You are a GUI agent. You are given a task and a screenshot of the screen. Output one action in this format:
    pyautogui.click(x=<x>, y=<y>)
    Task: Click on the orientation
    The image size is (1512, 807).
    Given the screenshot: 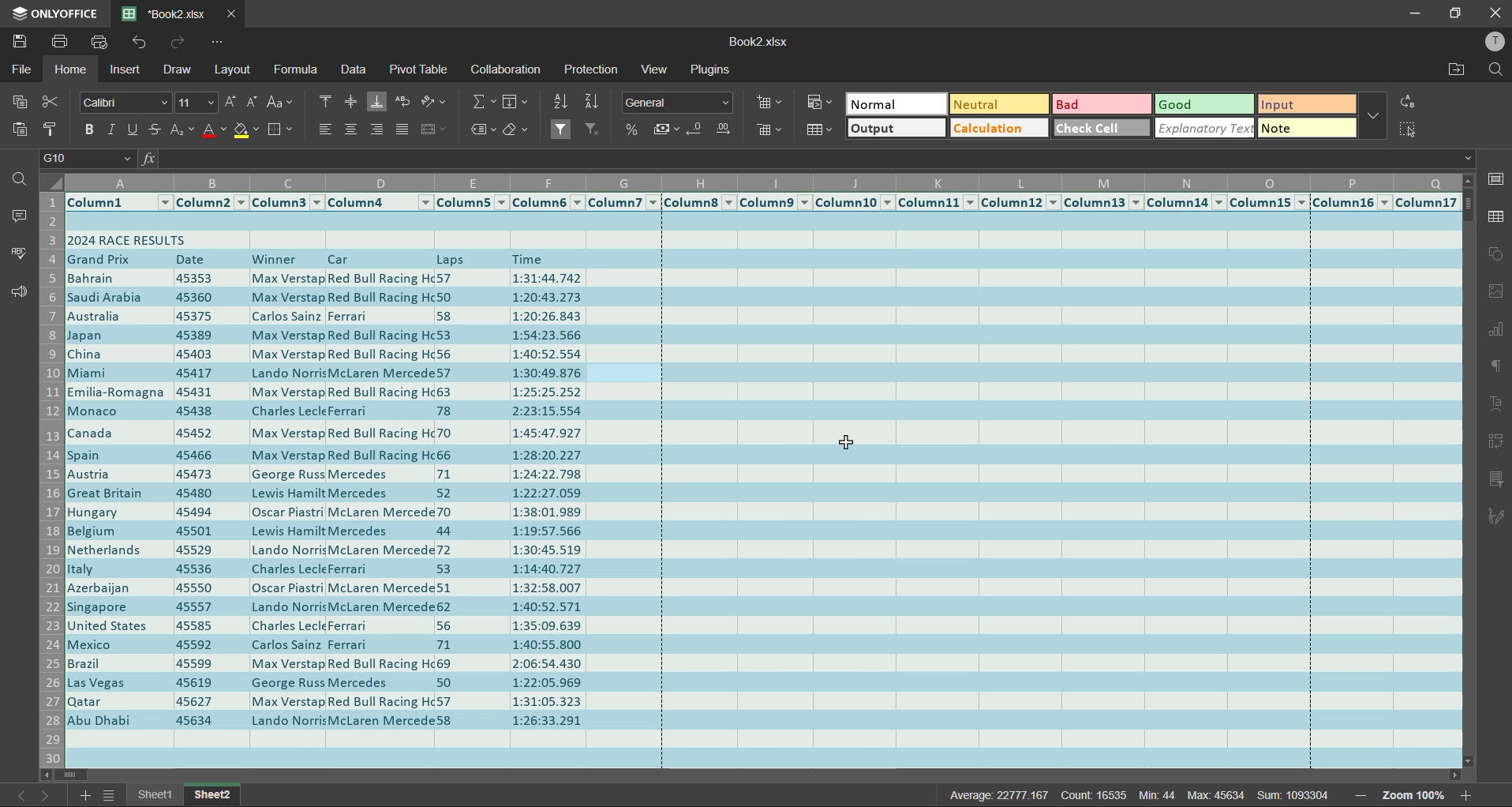 What is the action you would take?
    pyautogui.click(x=433, y=102)
    